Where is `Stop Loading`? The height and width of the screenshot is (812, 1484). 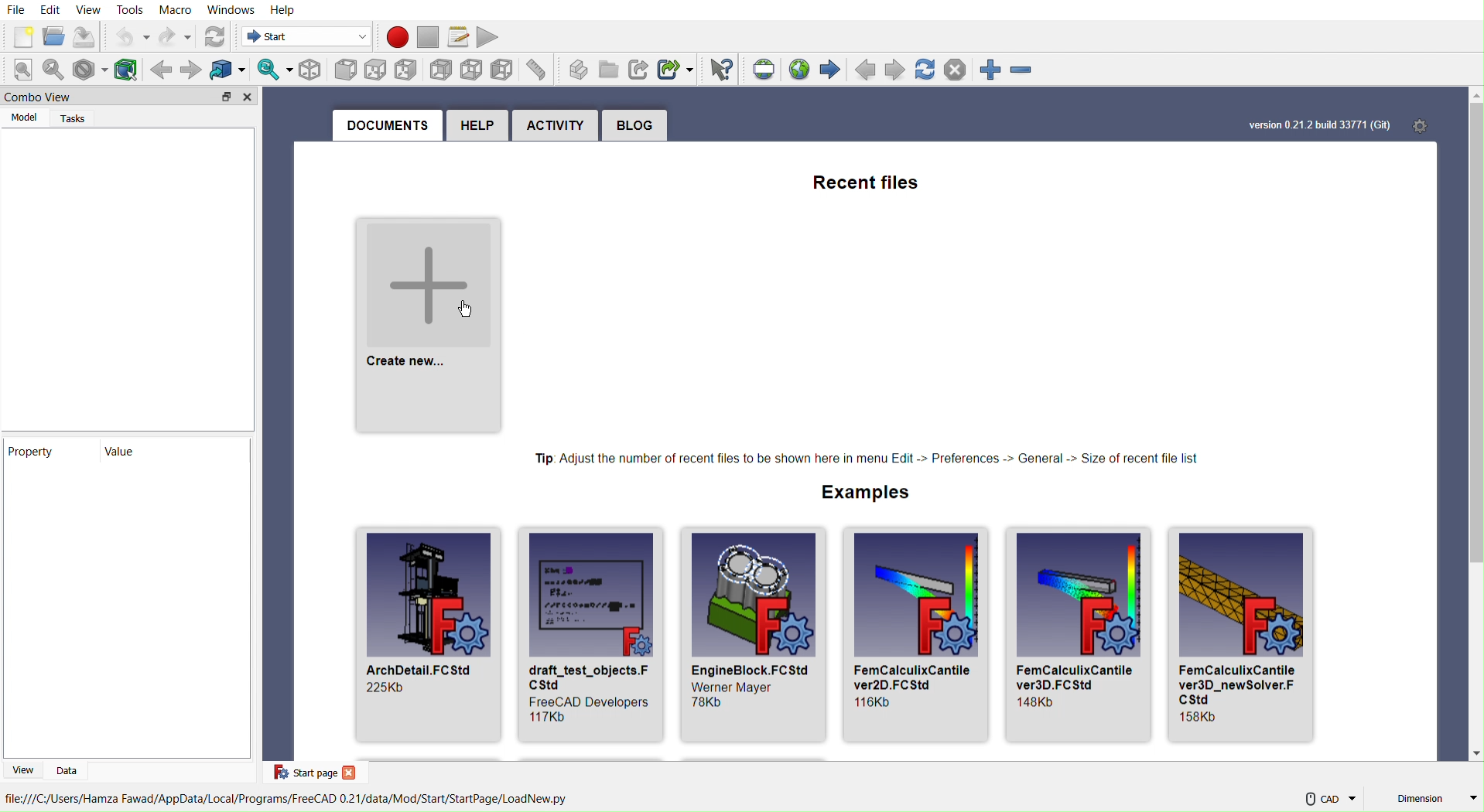
Stop Loading is located at coordinates (959, 71).